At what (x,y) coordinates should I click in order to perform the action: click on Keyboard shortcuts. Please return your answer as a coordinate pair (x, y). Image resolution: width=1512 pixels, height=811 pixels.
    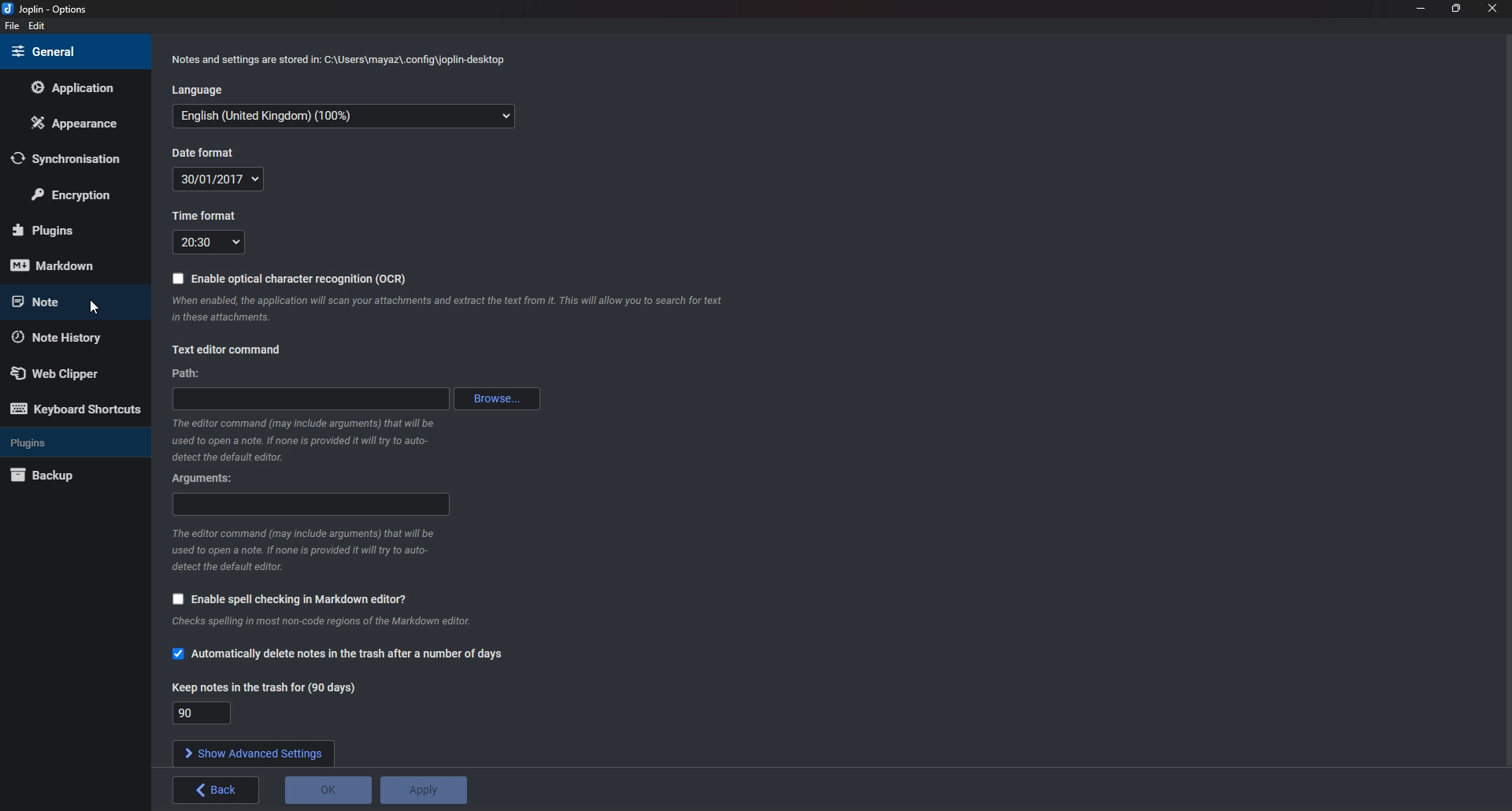
    Looking at the image, I should click on (75, 409).